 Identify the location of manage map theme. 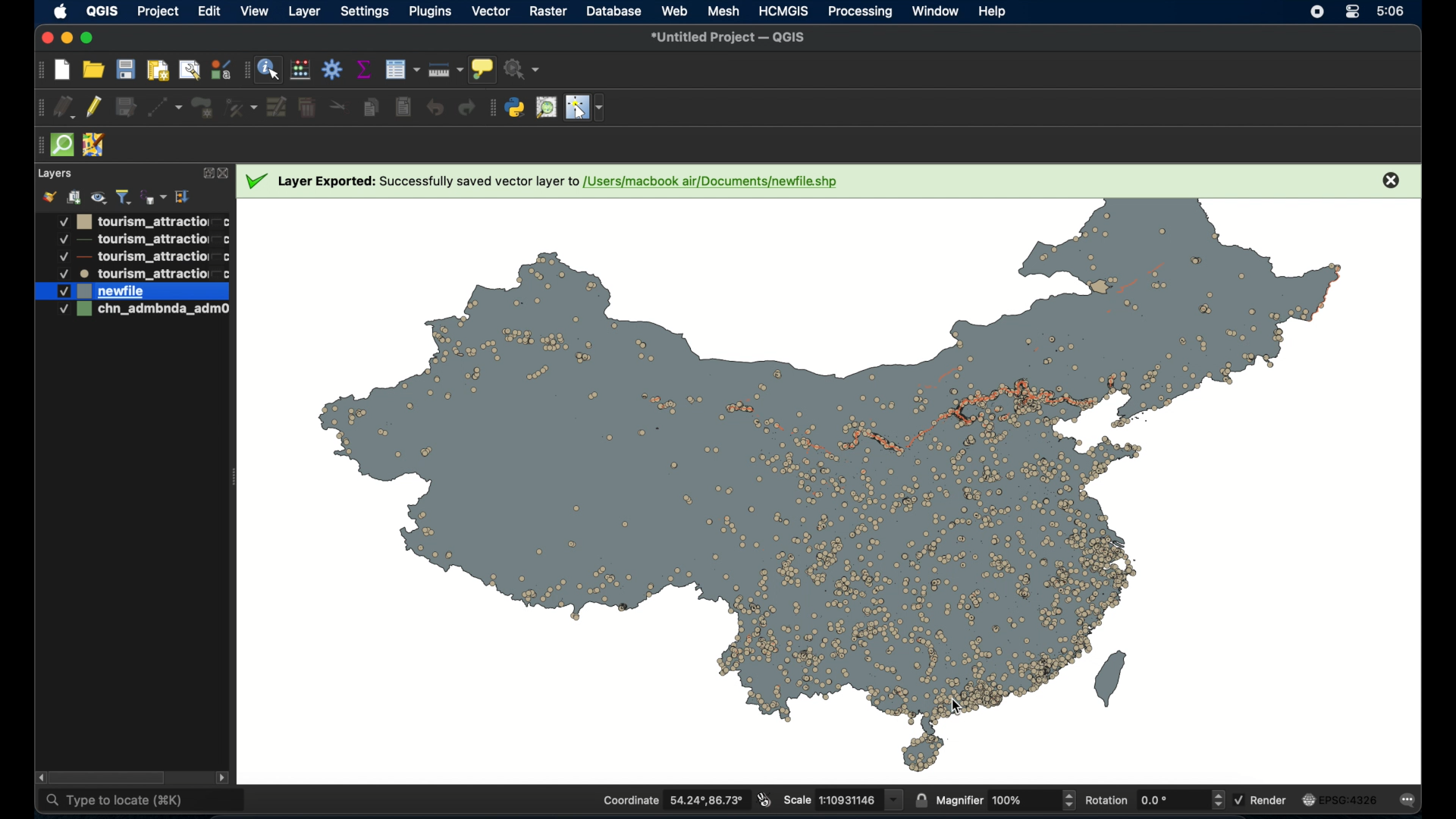
(98, 197).